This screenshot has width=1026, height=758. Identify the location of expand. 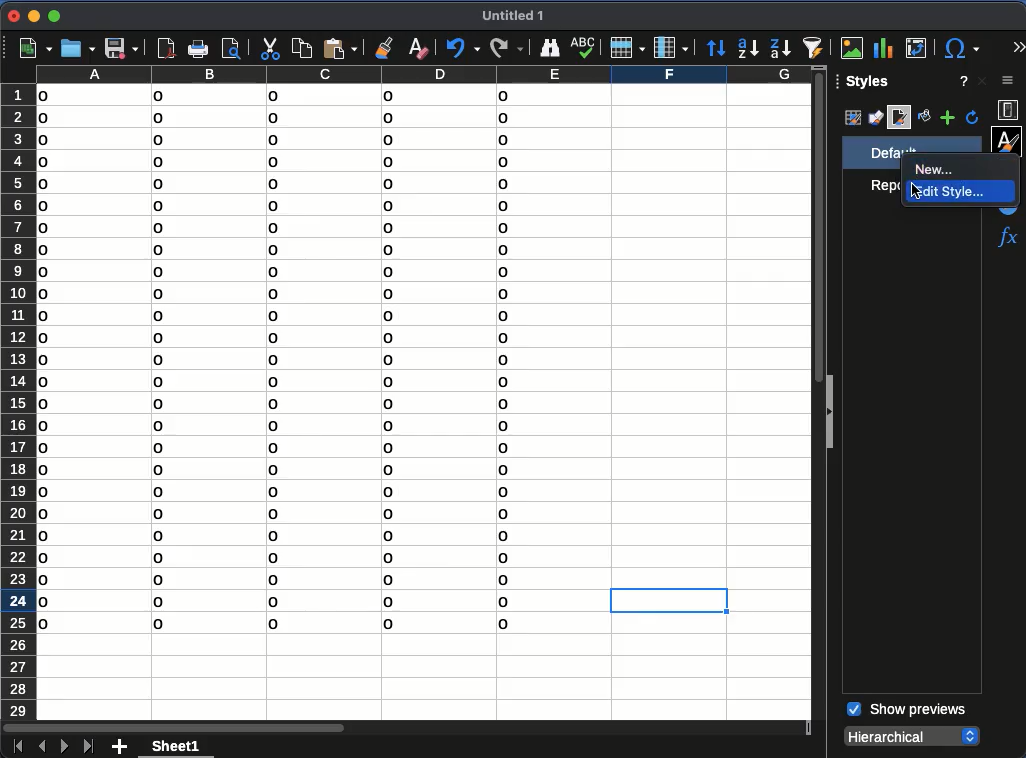
(1016, 45).